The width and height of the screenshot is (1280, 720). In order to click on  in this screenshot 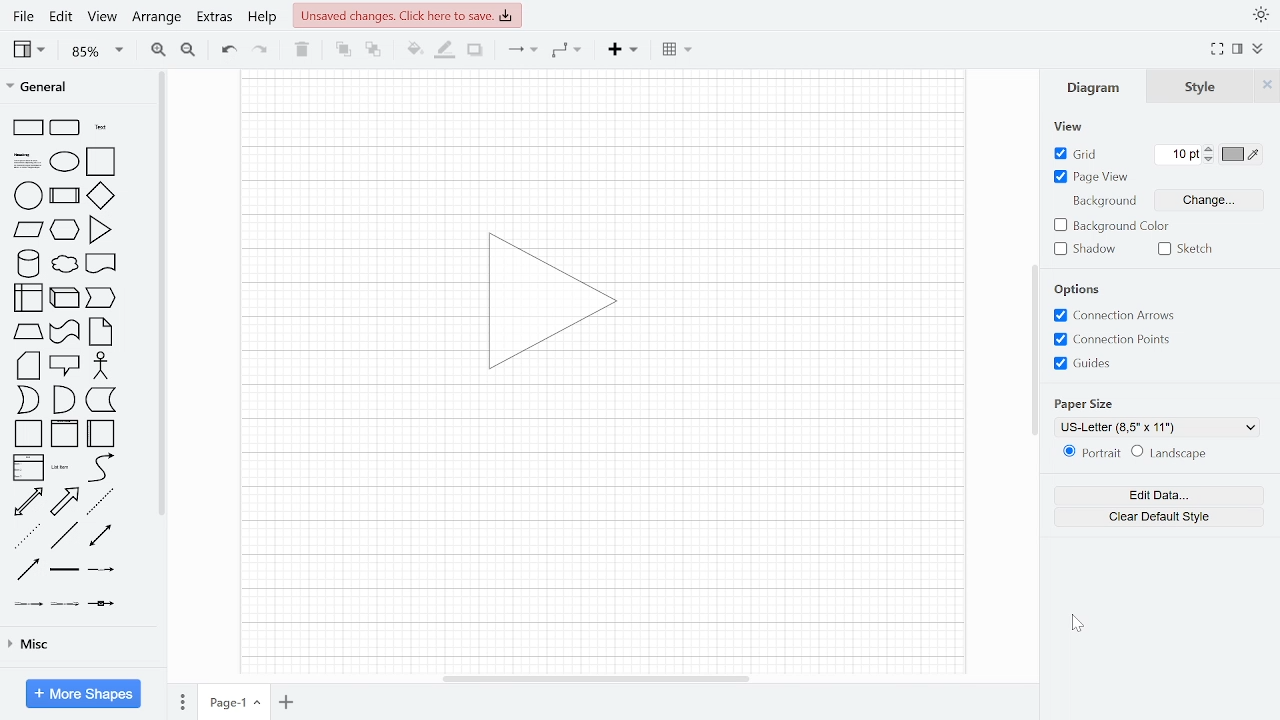, I will do `click(1083, 363)`.